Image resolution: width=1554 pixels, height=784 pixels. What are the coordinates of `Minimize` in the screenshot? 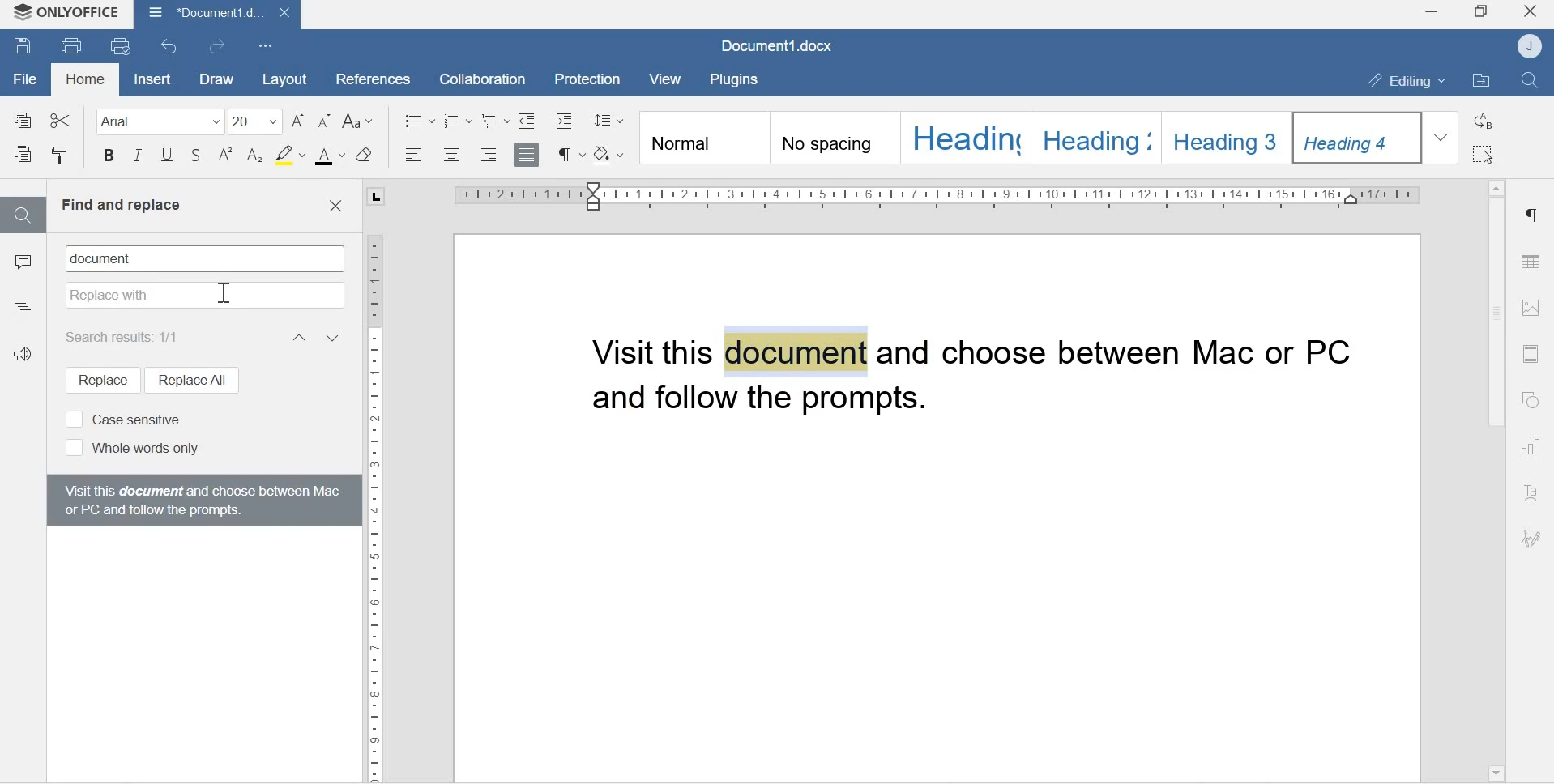 It's located at (1430, 14).